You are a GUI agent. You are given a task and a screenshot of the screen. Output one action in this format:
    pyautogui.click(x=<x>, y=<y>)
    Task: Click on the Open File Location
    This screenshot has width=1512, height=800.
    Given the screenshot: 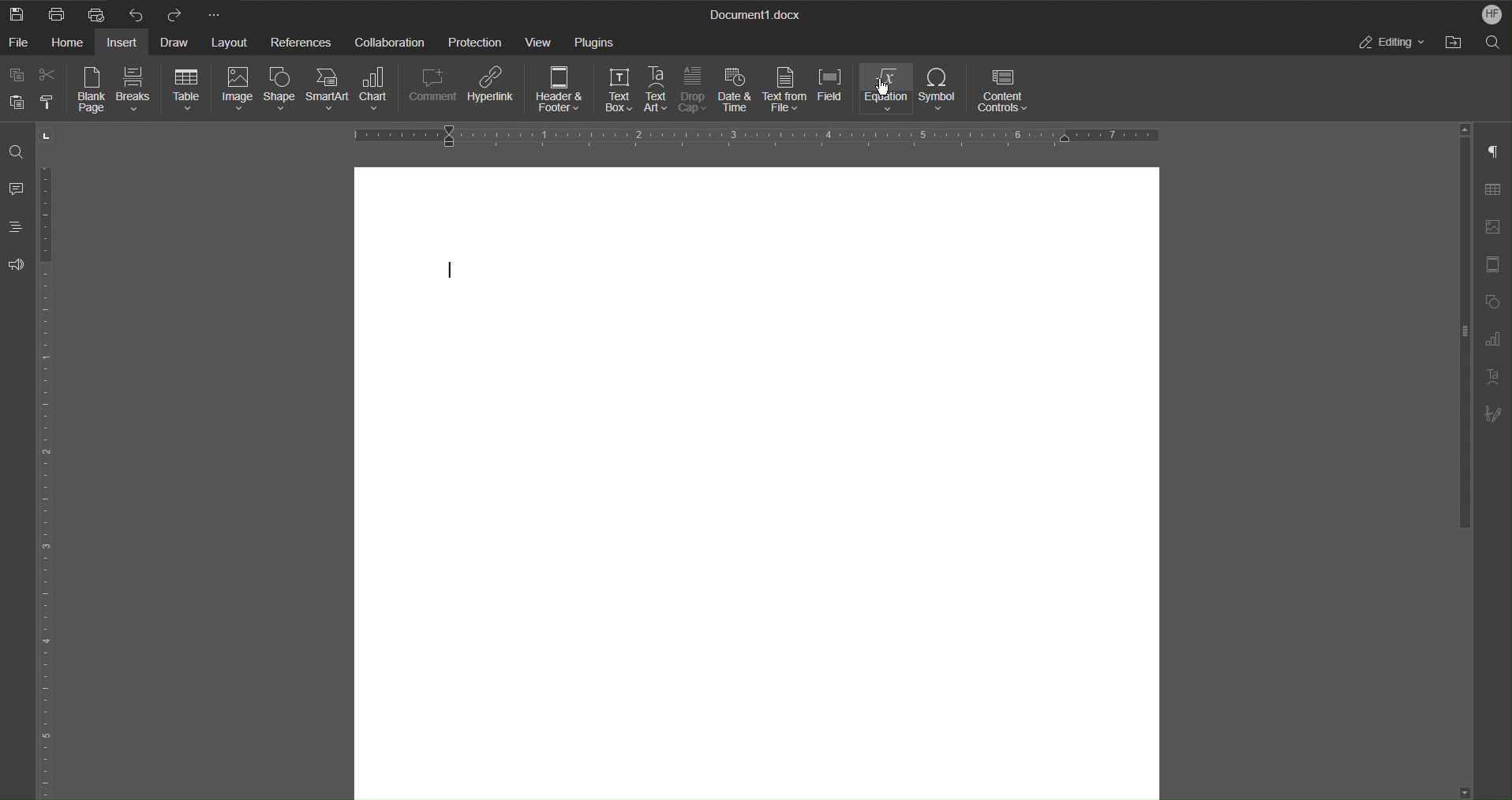 What is the action you would take?
    pyautogui.click(x=1458, y=43)
    